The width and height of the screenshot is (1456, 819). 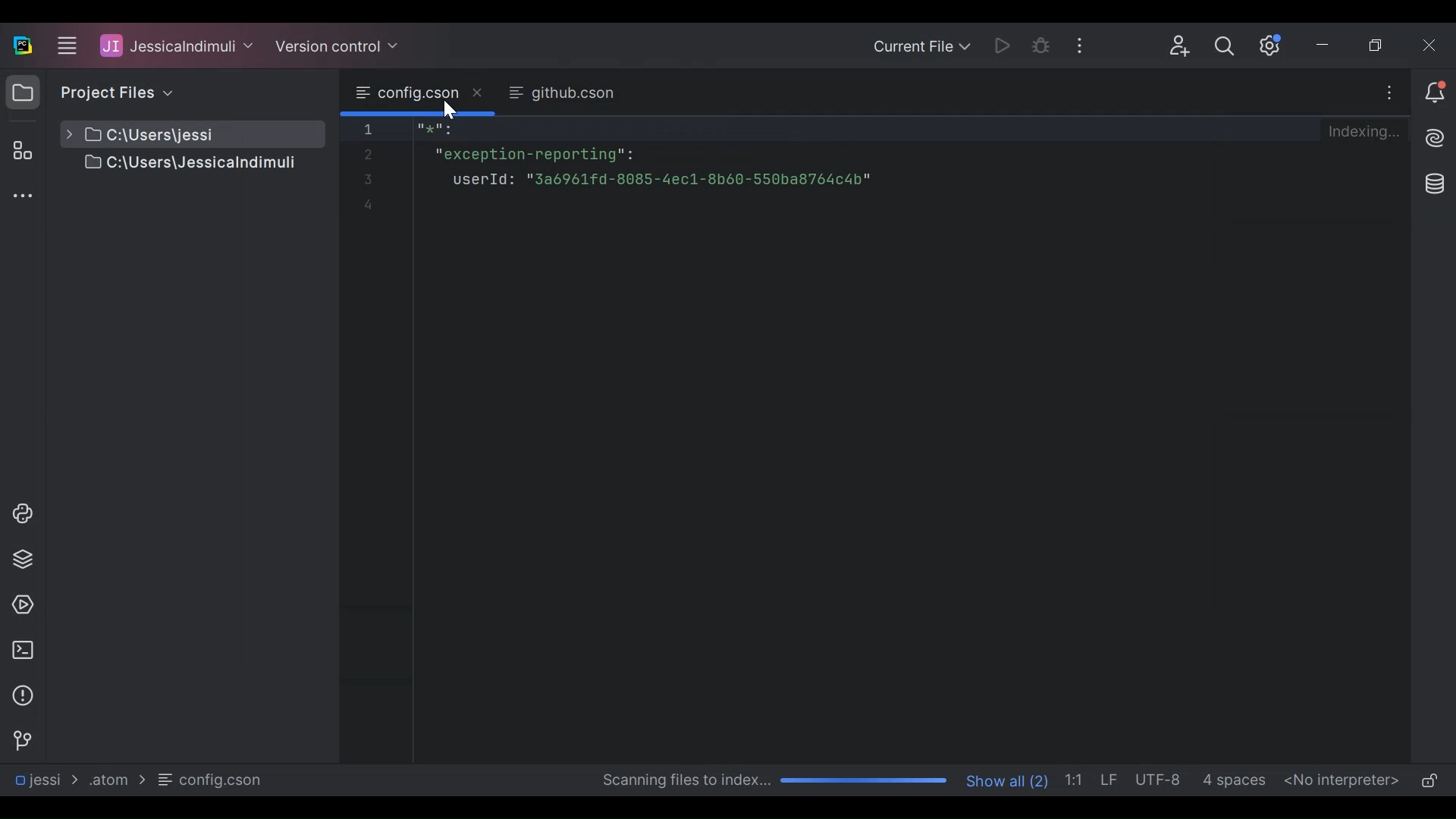 What do you see at coordinates (20, 150) in the screenshot?
I see `Structure` at bounding box center [20, 150].